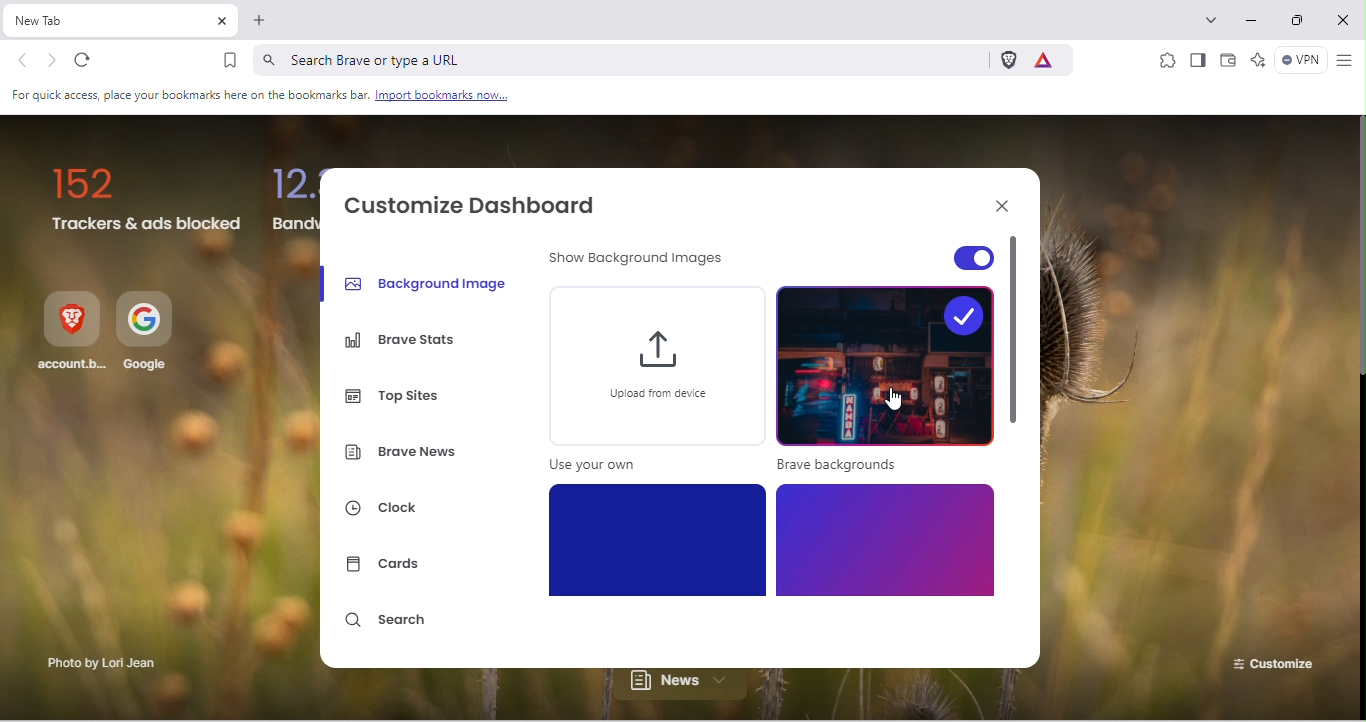 The width and height of the screenshot is (1366, 722). Describe the element at coordinates (885, 382) in the screenshot. I see `Brave backgrounds` at that location.